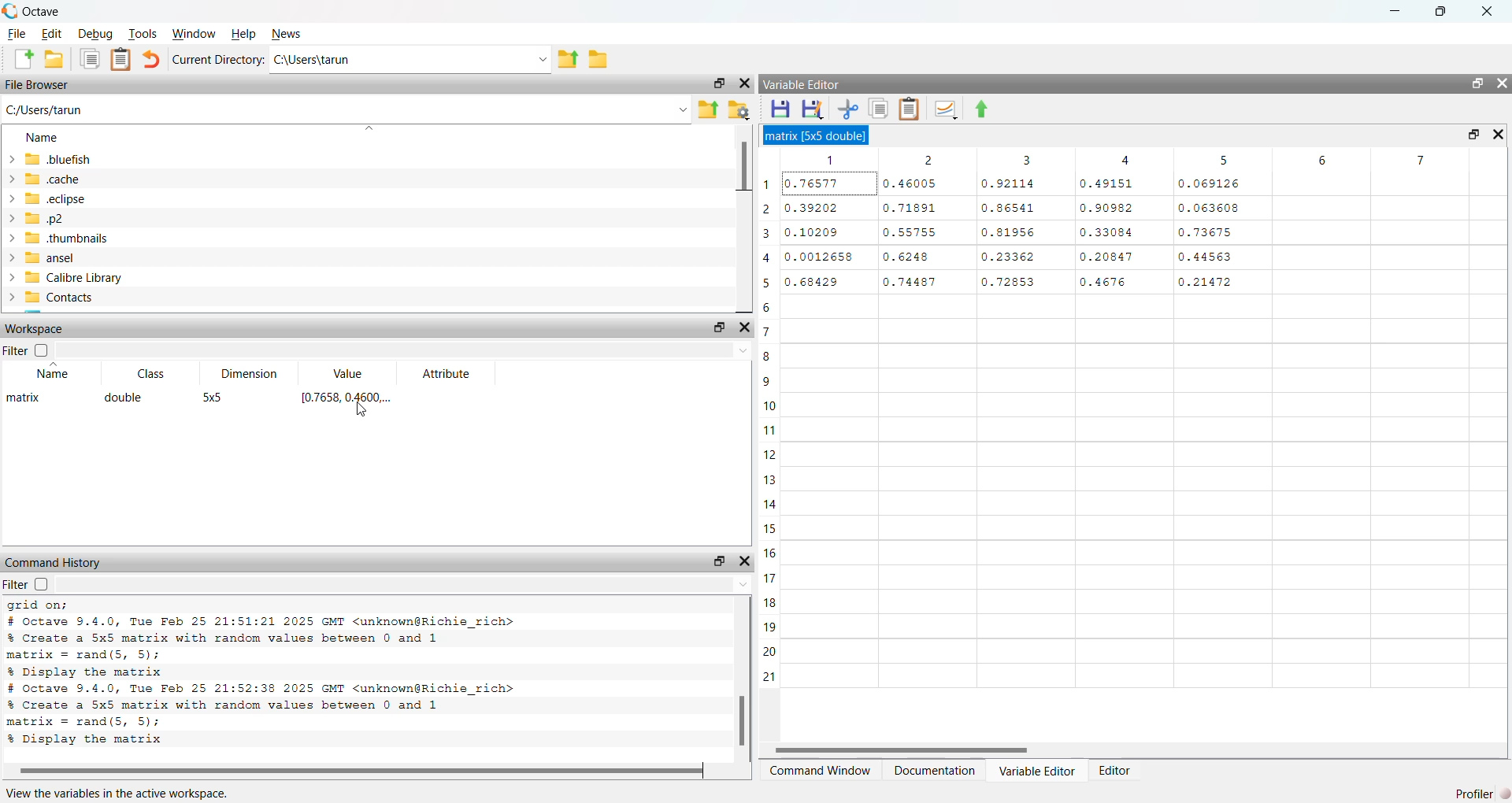  What do you see at coordinates (947, 109) in the screenshot?
I see `jump` at bounding box center [947, 109].